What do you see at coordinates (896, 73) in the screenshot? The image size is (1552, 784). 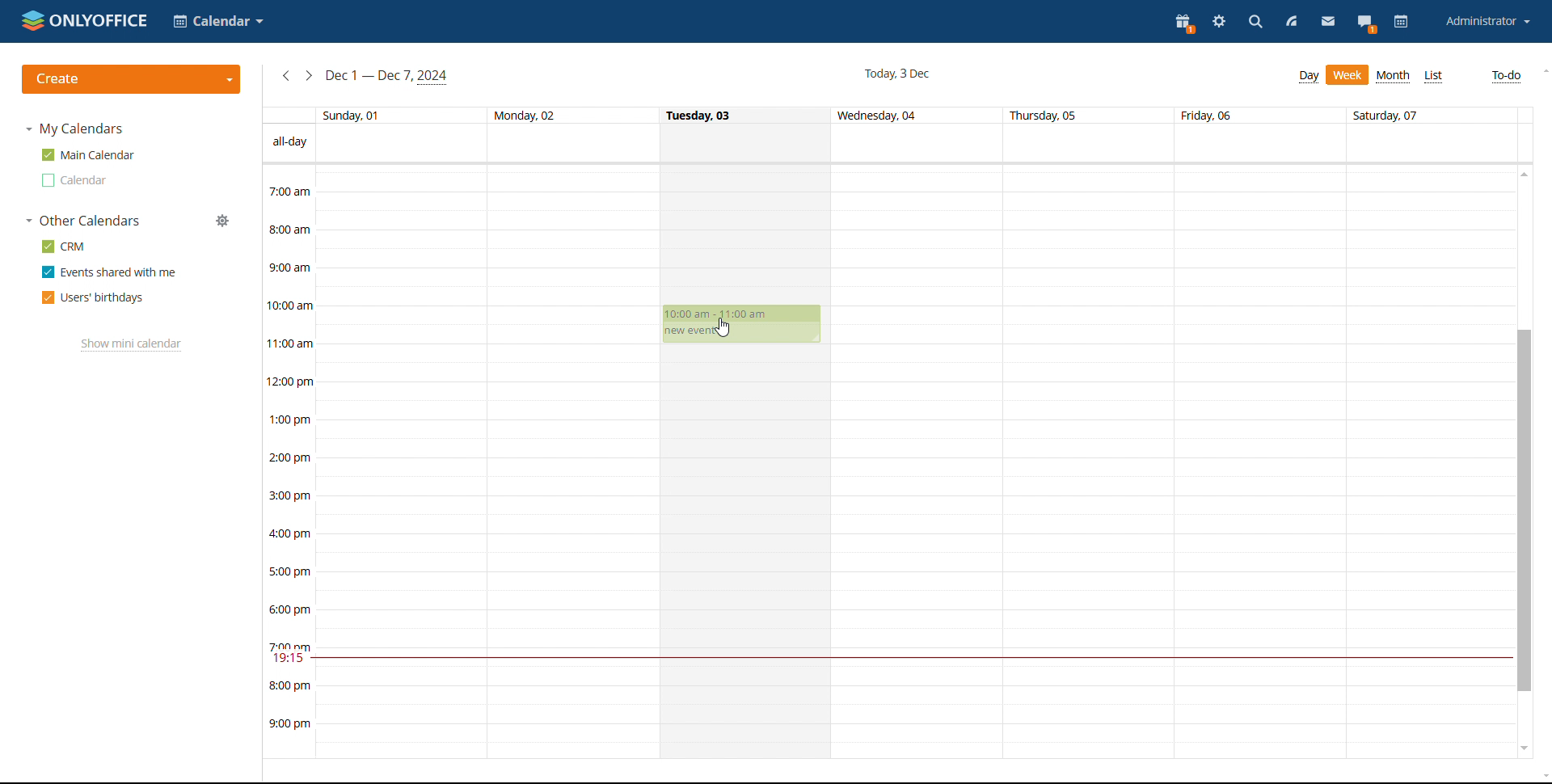 I see `Today, 3 Dec` at bounding box center [896, 73].